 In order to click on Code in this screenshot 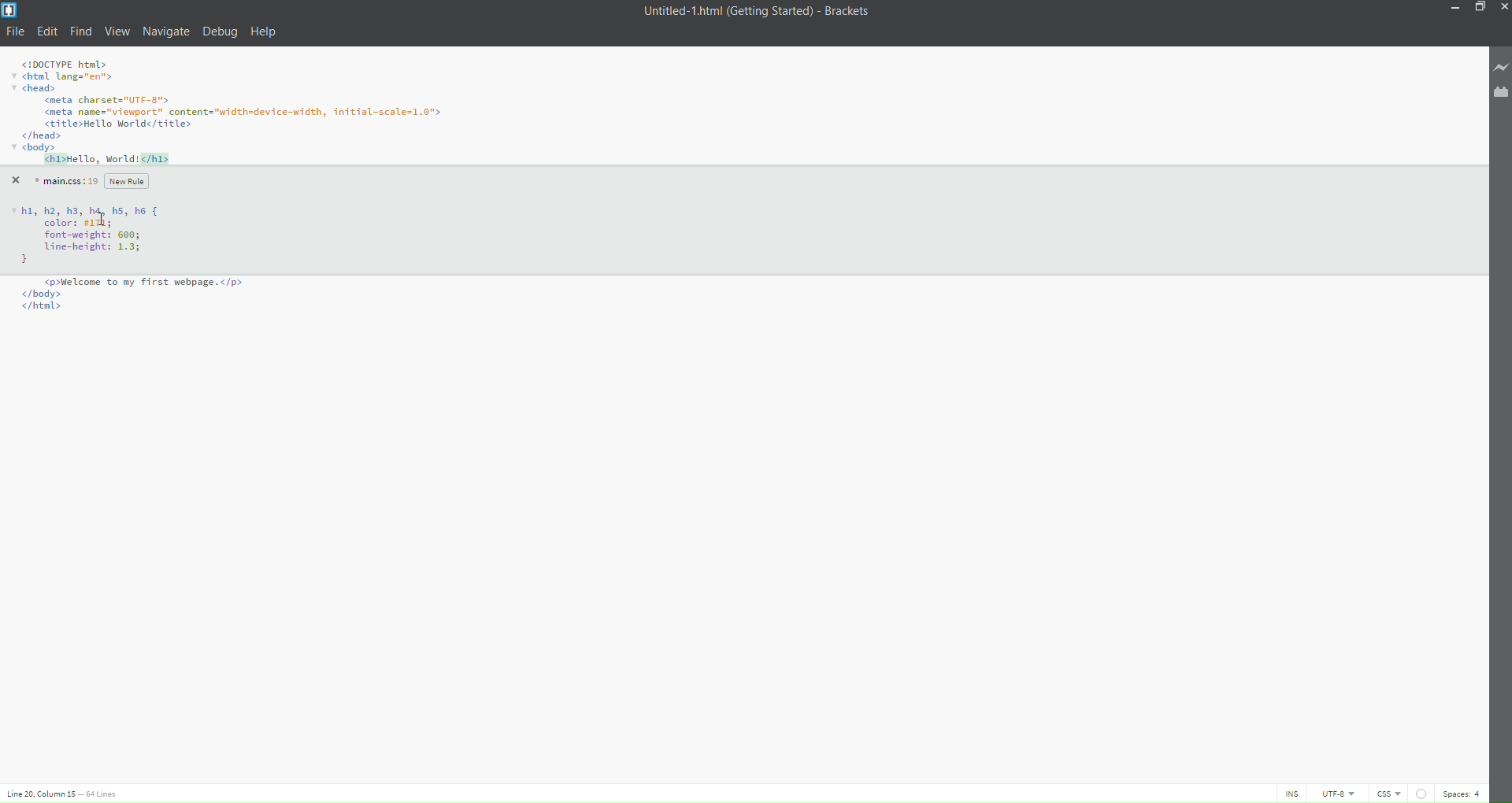, I will do `click(128, 301)`.